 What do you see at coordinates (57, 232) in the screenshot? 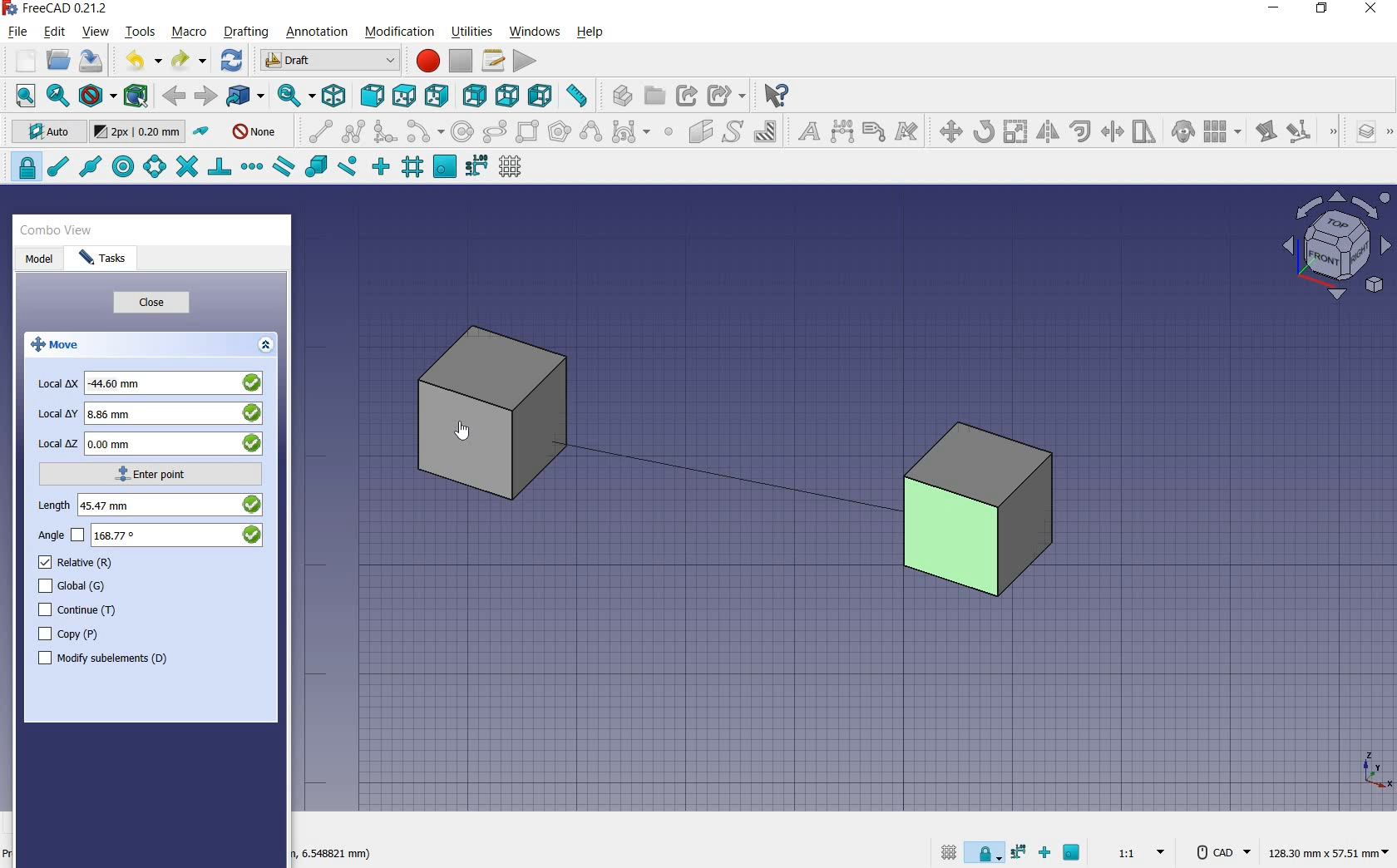
I see `combo view` at bounding box center [57, 232].